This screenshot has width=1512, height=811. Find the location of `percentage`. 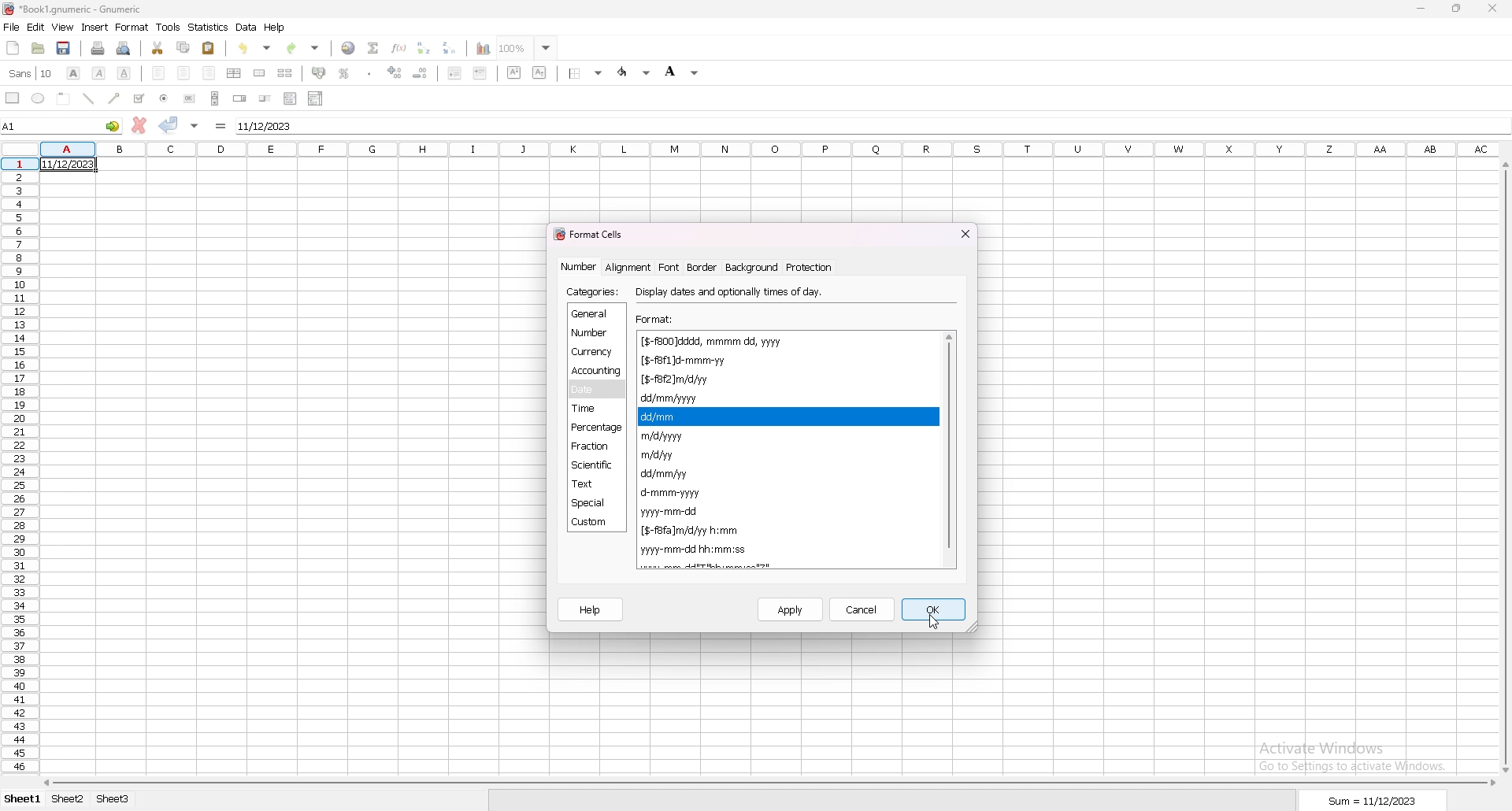

percentage is located at coordinates (344, 73).